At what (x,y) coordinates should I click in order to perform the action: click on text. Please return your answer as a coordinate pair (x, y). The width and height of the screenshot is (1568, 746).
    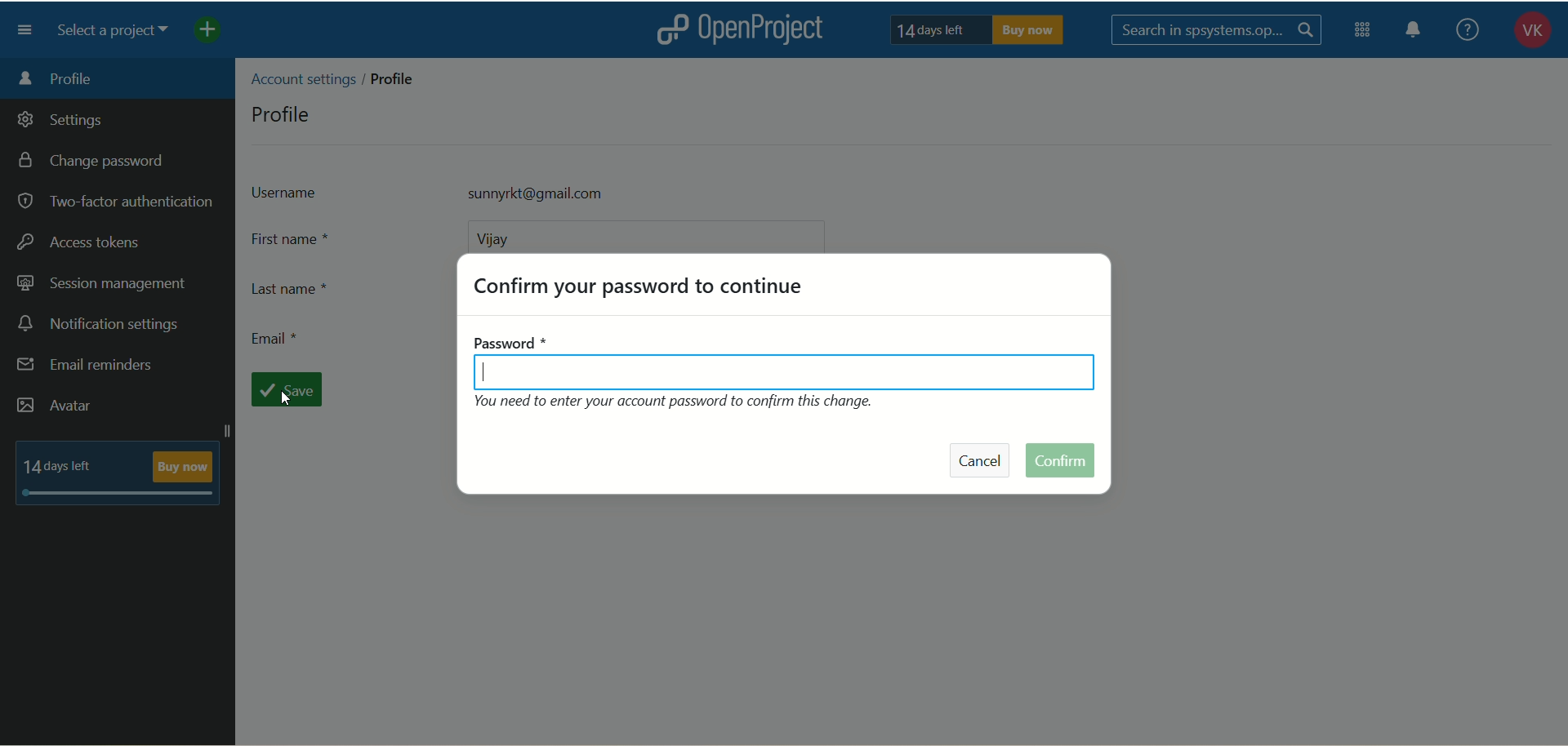
    Looking at the image, I should click on (118, 472).